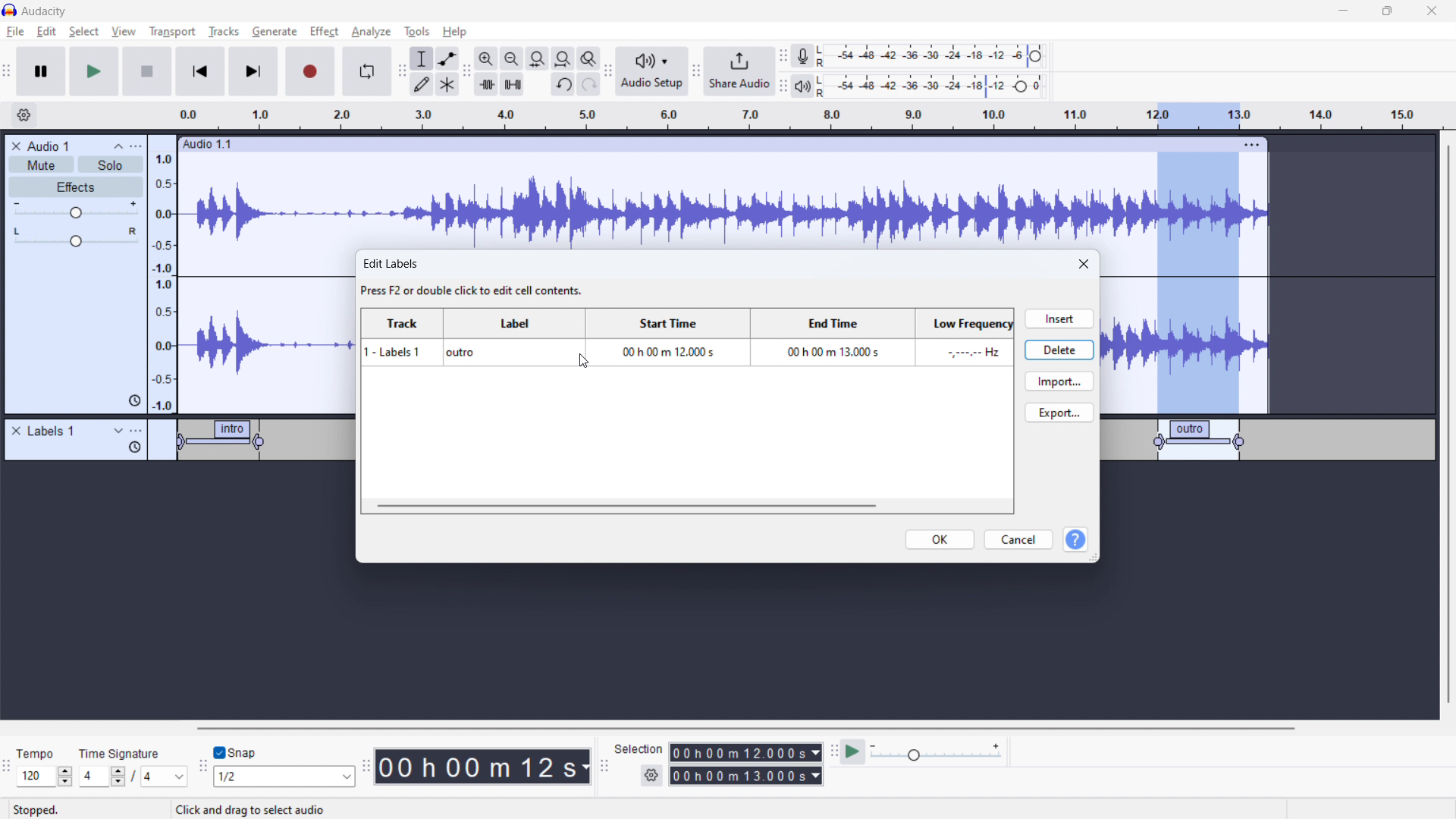  What do you see at coordinates (16, 32) in the screenshot?
I see `file` at bounding box center [16, 32].